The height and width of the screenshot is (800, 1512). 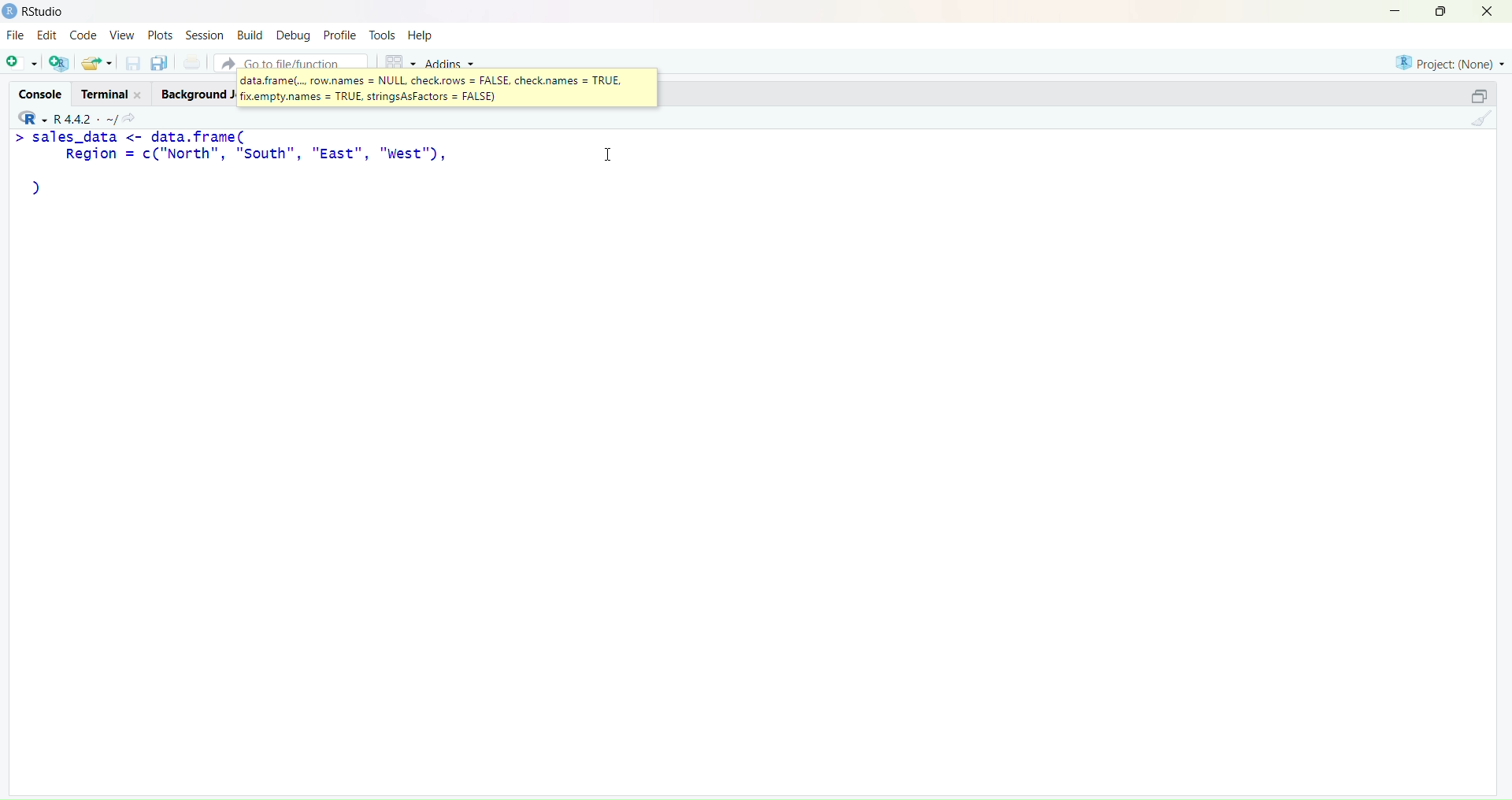 I want to click on Project: (None), so click(x=1450, y=61).